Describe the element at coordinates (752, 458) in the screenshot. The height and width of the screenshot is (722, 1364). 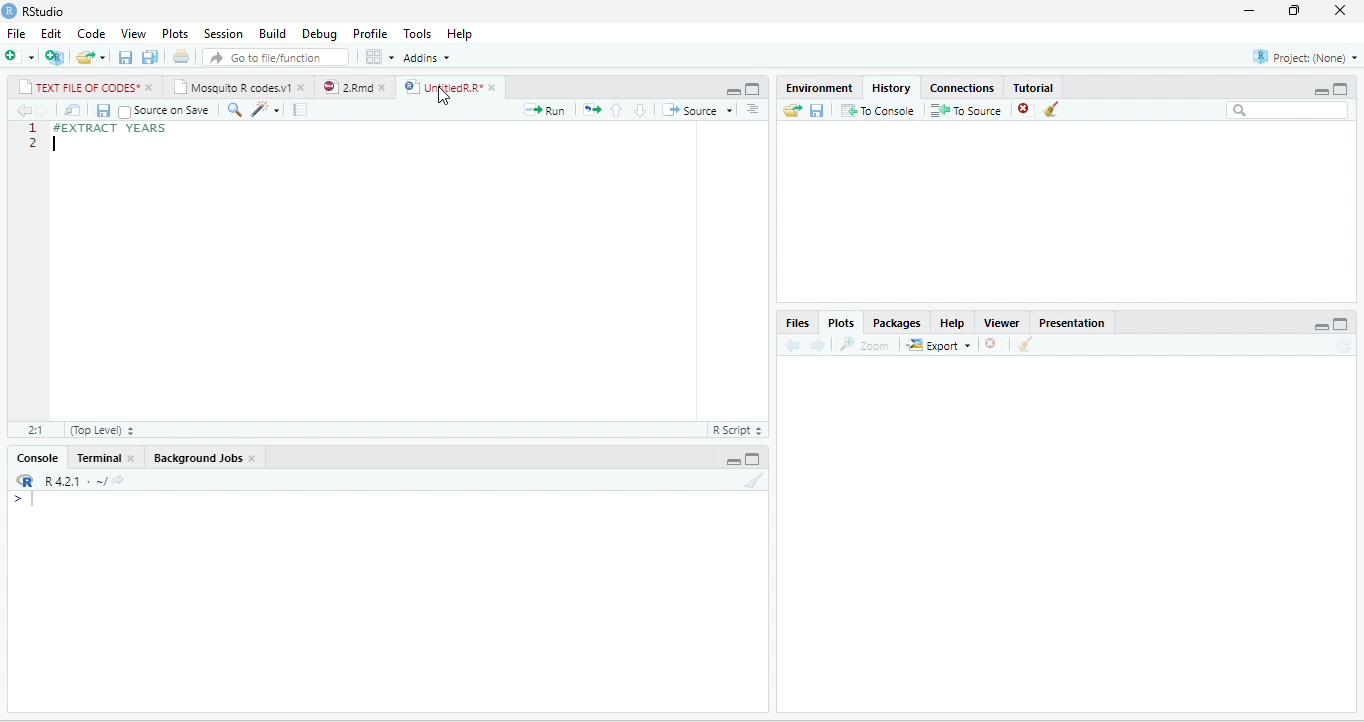
I see `maximize` at that location.